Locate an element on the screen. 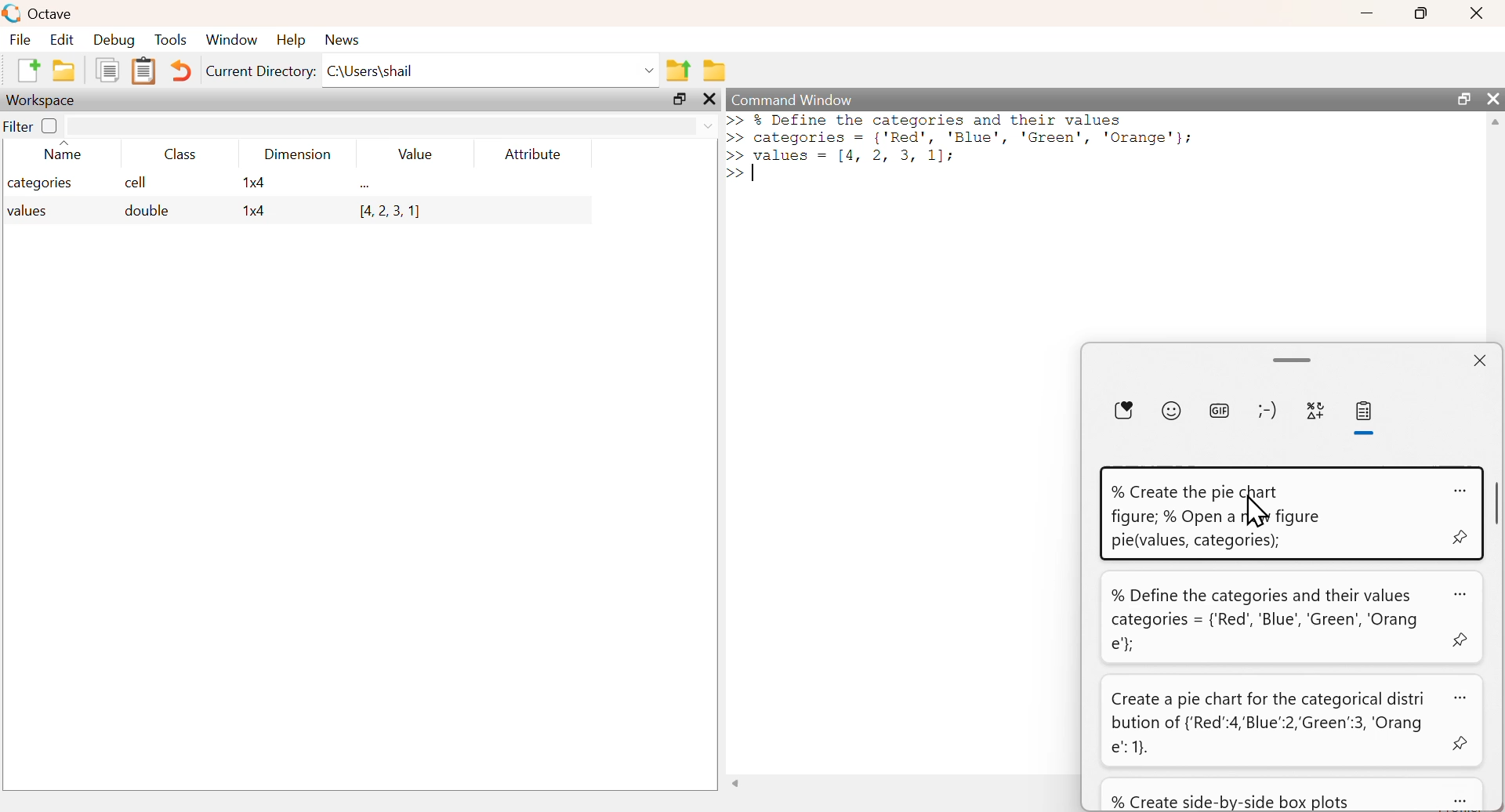  Debug is located at coordinates (114, 40).